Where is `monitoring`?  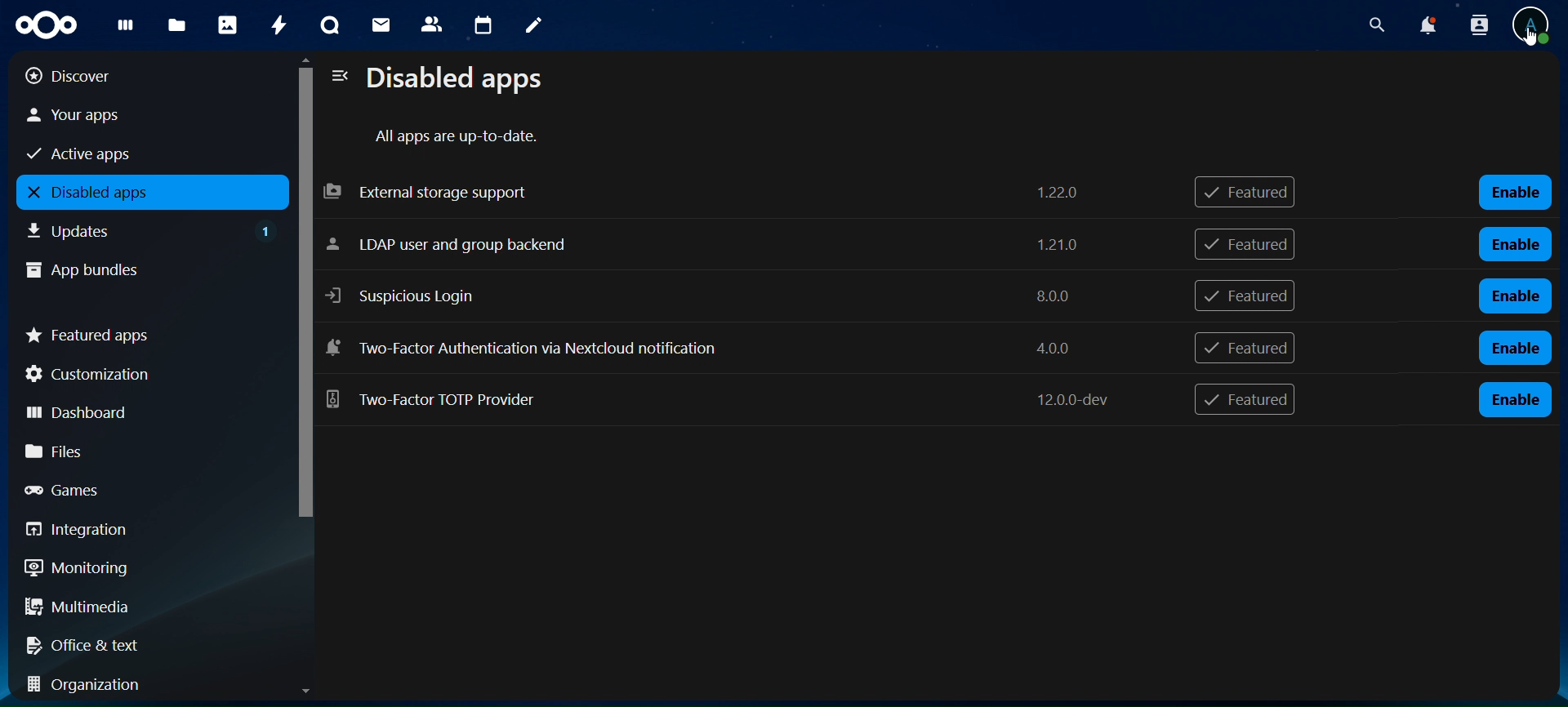 monitoring is located at coordinates (137, 567).